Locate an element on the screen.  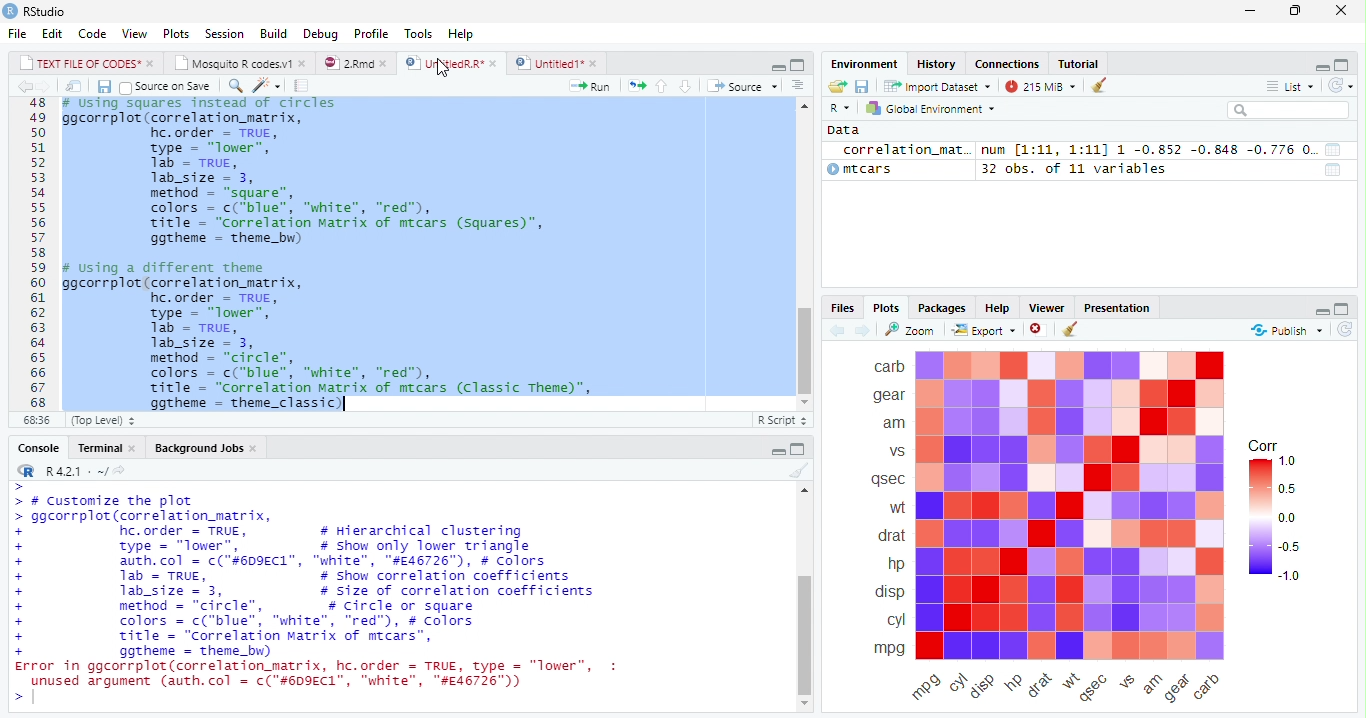
mtcars is located at coordinates (879, 171).